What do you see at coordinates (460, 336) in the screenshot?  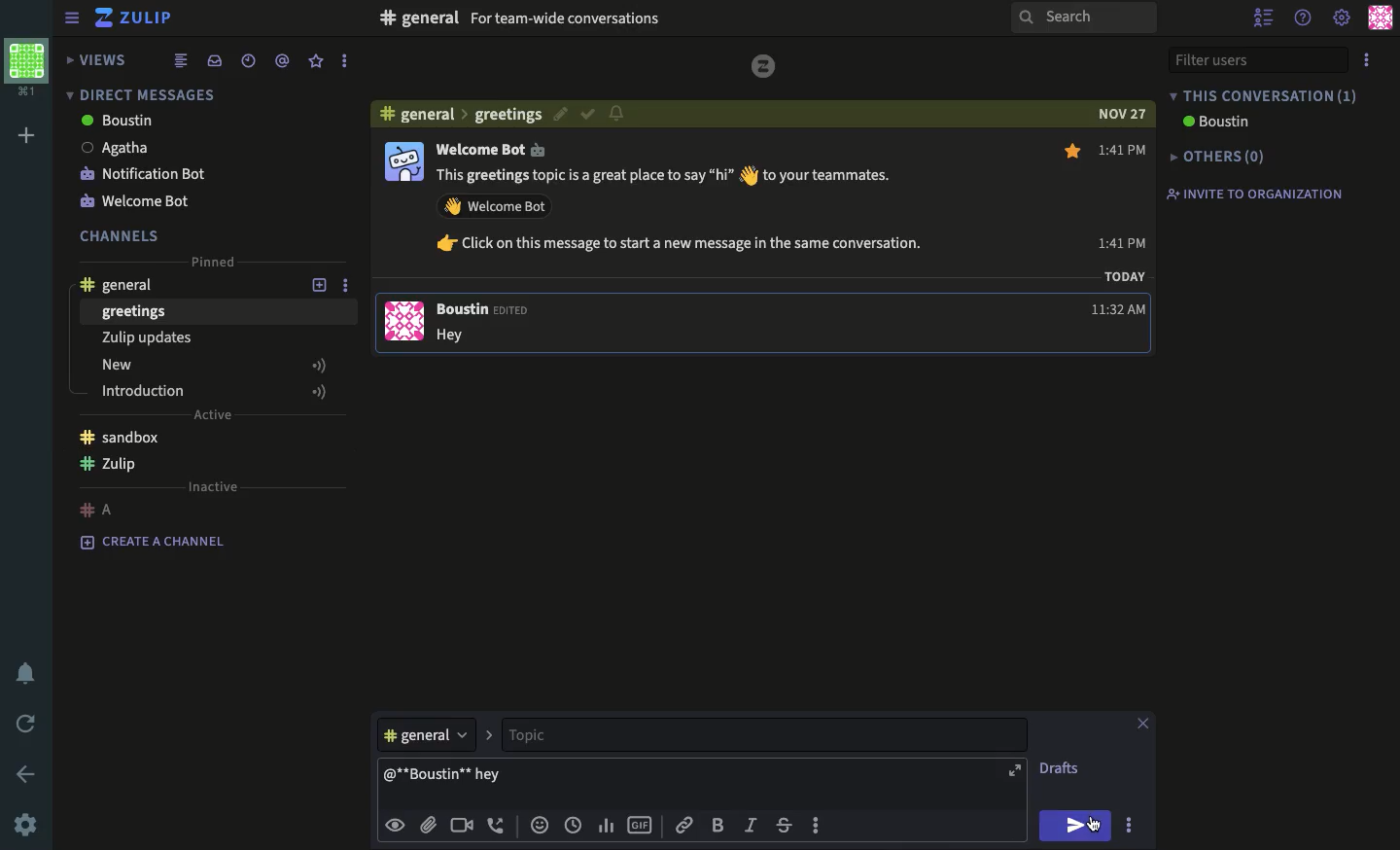 I see `Hey` at bounding box center [460, 336].